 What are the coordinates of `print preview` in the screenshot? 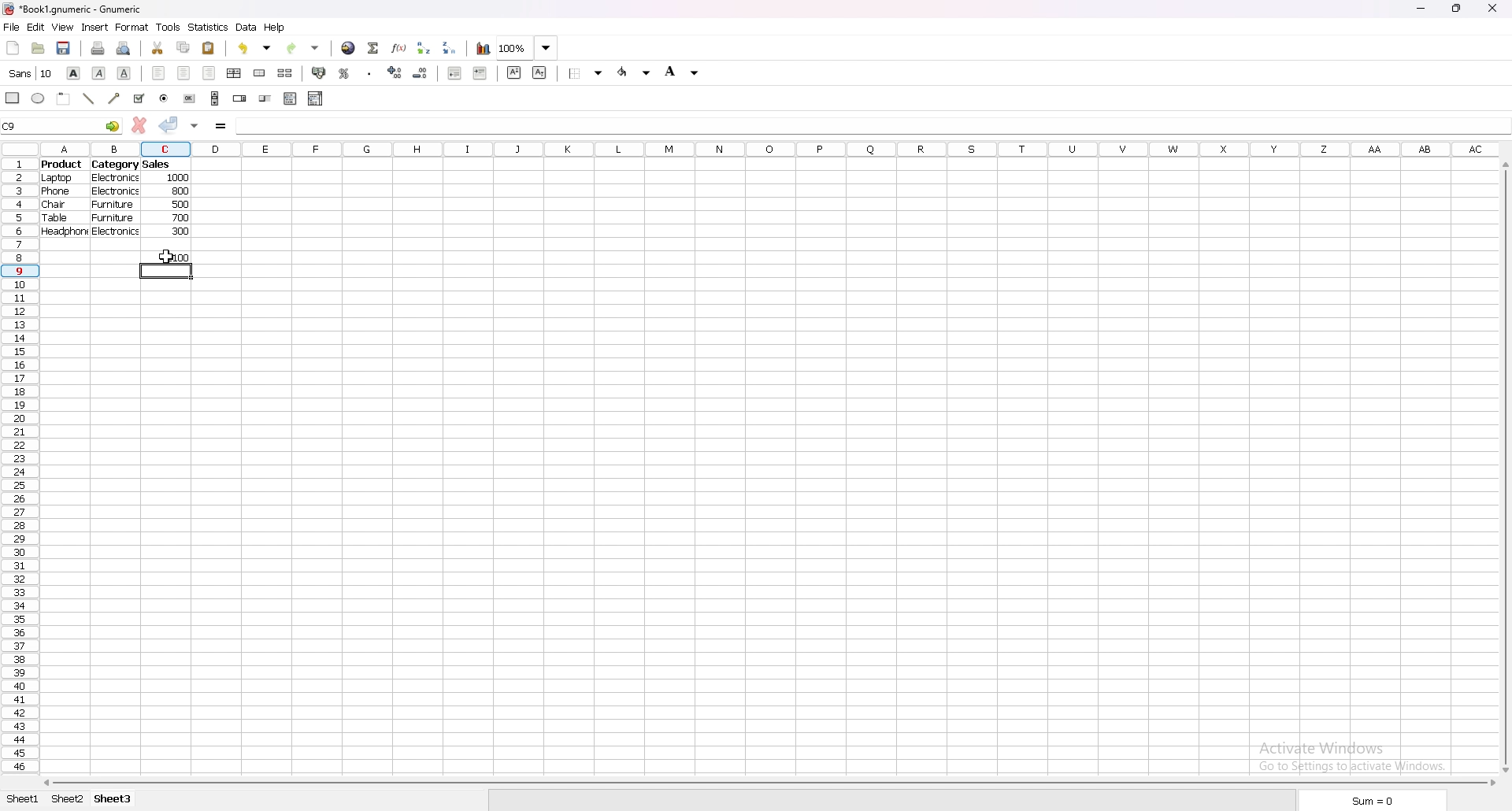 It's located at (124, 47).